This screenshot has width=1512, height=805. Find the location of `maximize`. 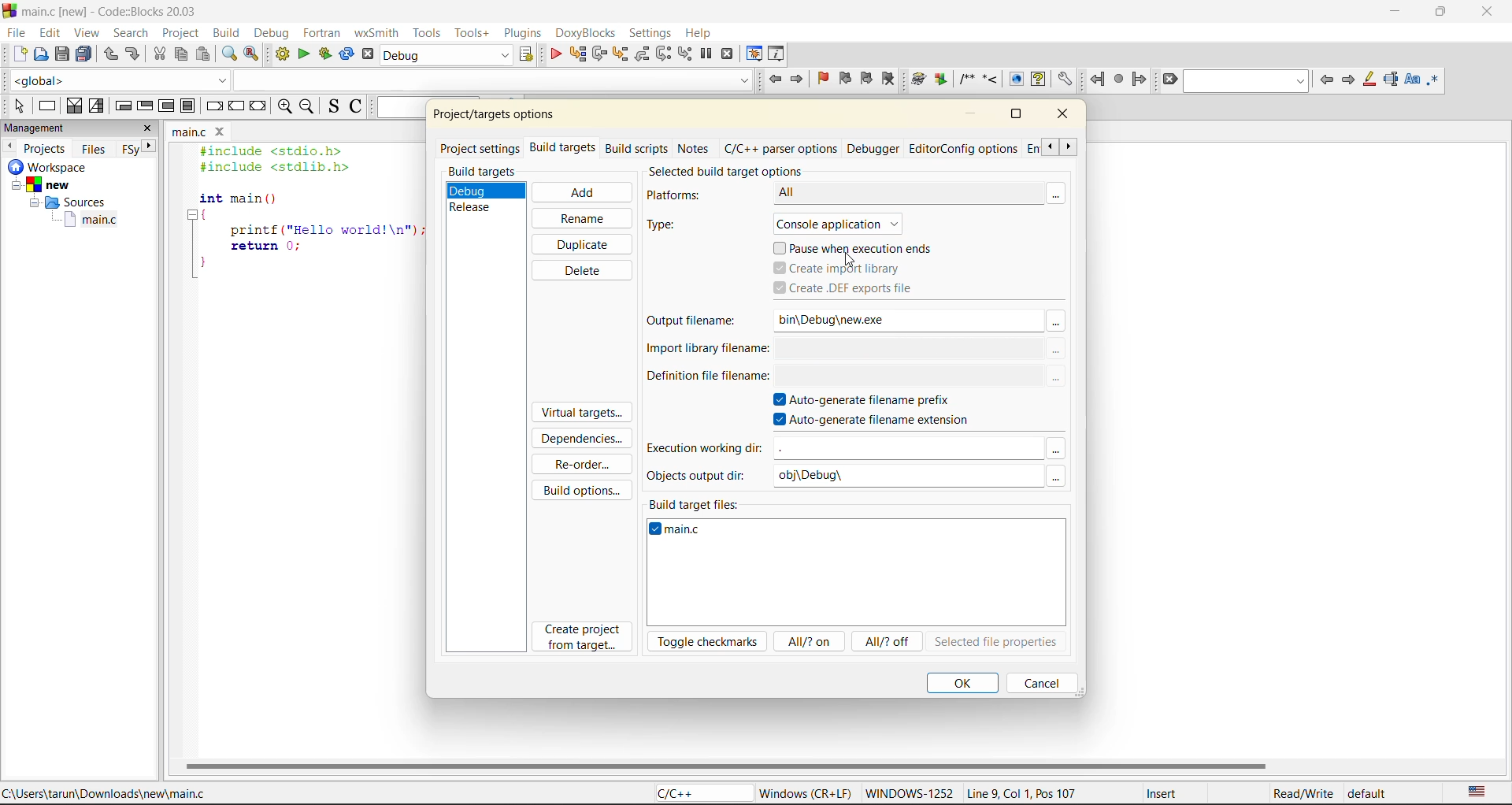

maximize is located at coordinates (1444, 14).